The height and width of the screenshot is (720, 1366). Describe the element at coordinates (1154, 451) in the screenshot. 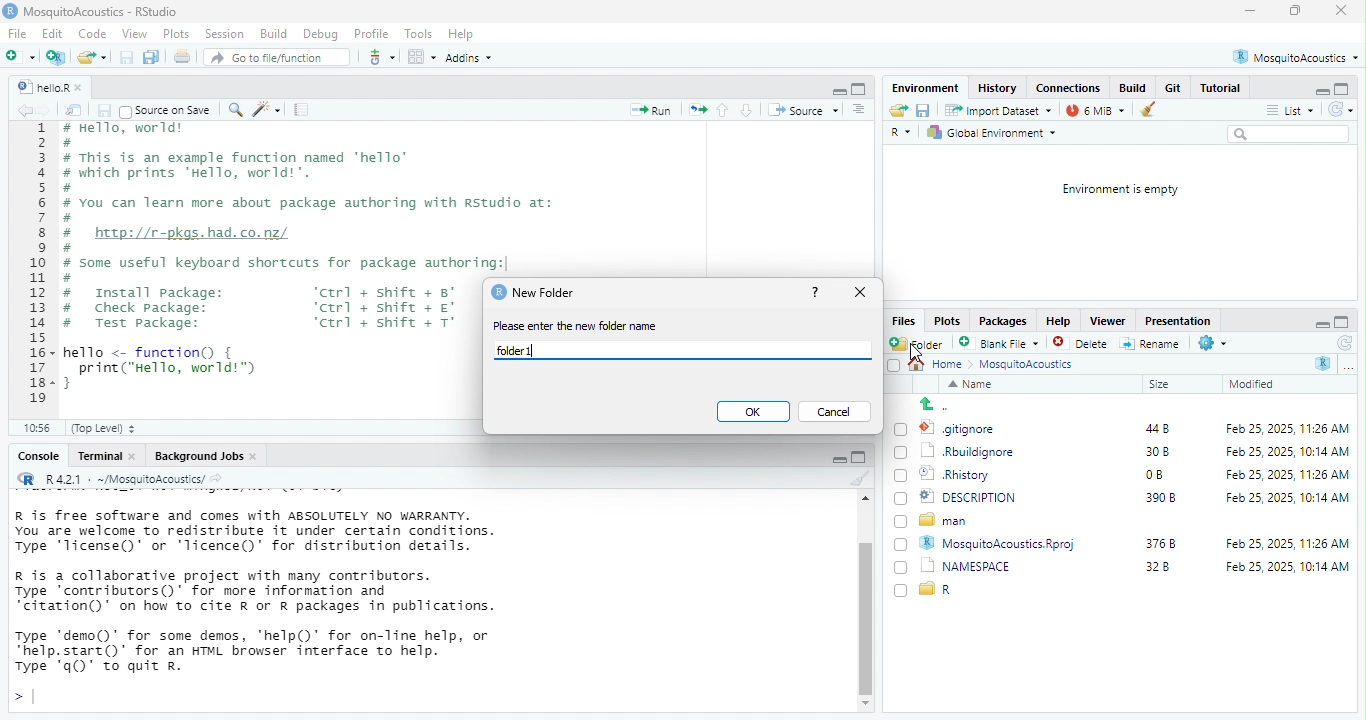

I see `30 b` at that location.